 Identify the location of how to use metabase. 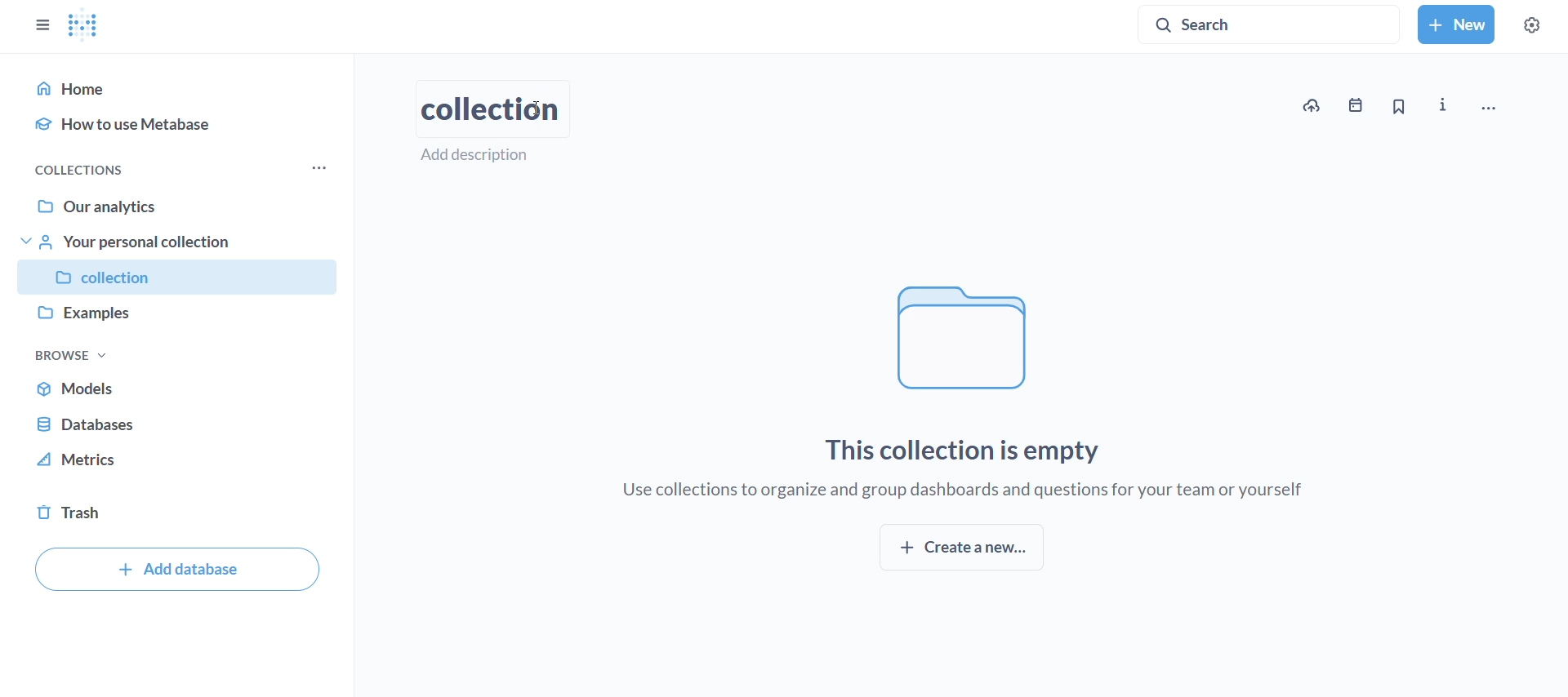
(178, 123).